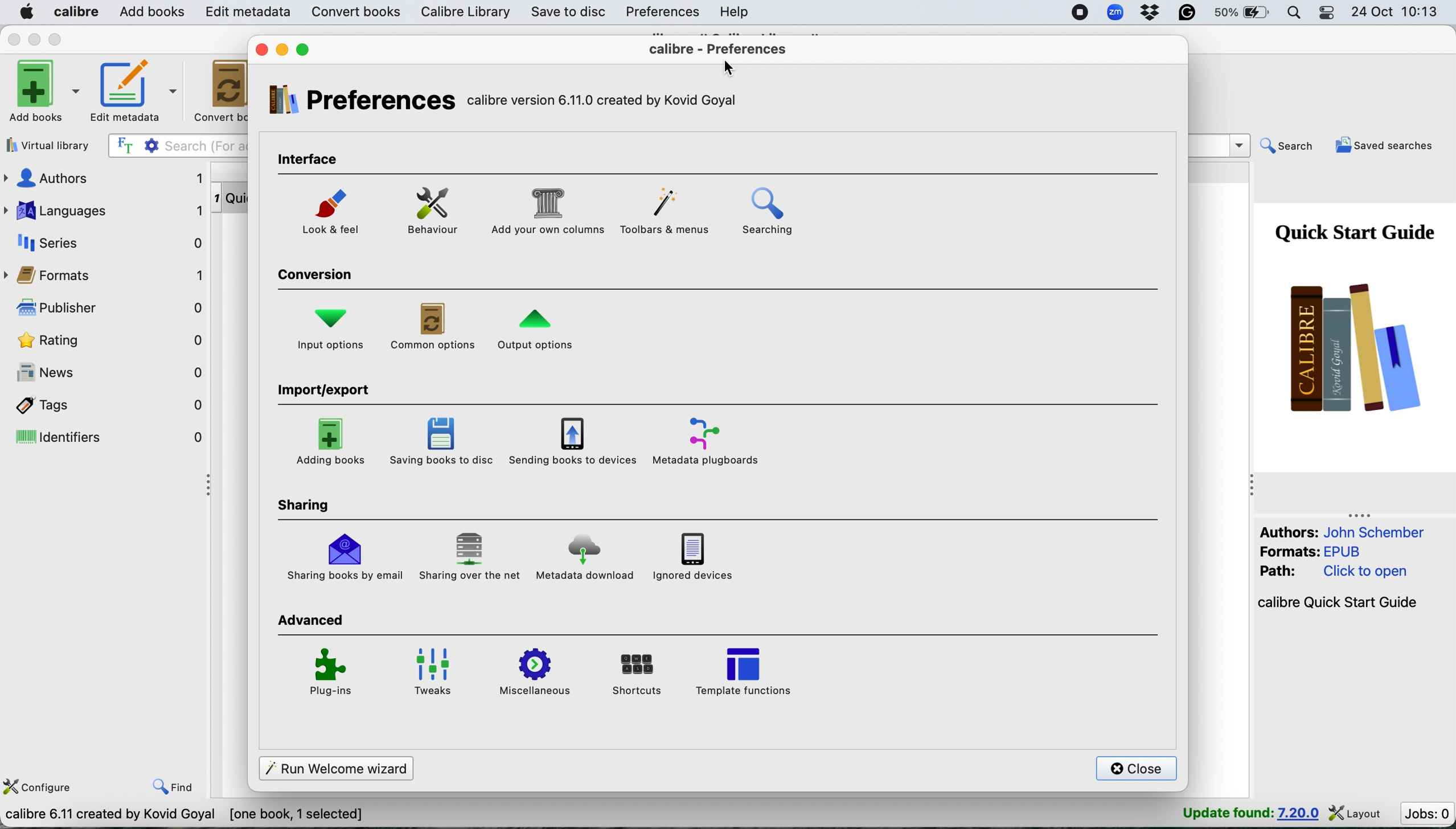  Describe the element at coordinates (539, 328) in the screenshot. I see `output options` at that location.